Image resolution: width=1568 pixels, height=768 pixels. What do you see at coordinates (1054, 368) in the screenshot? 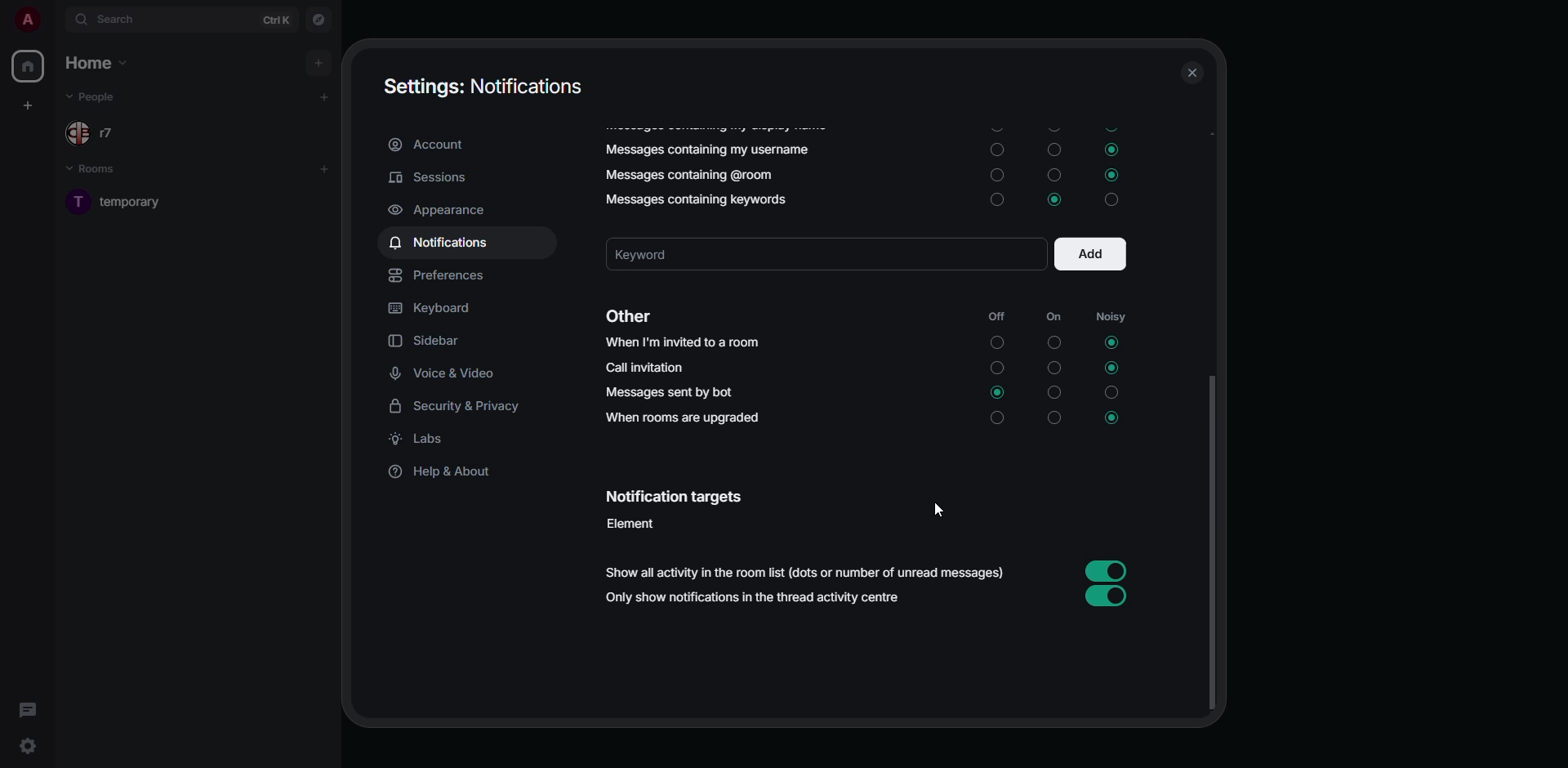
I see `On` at bounding box center [1054, 368].